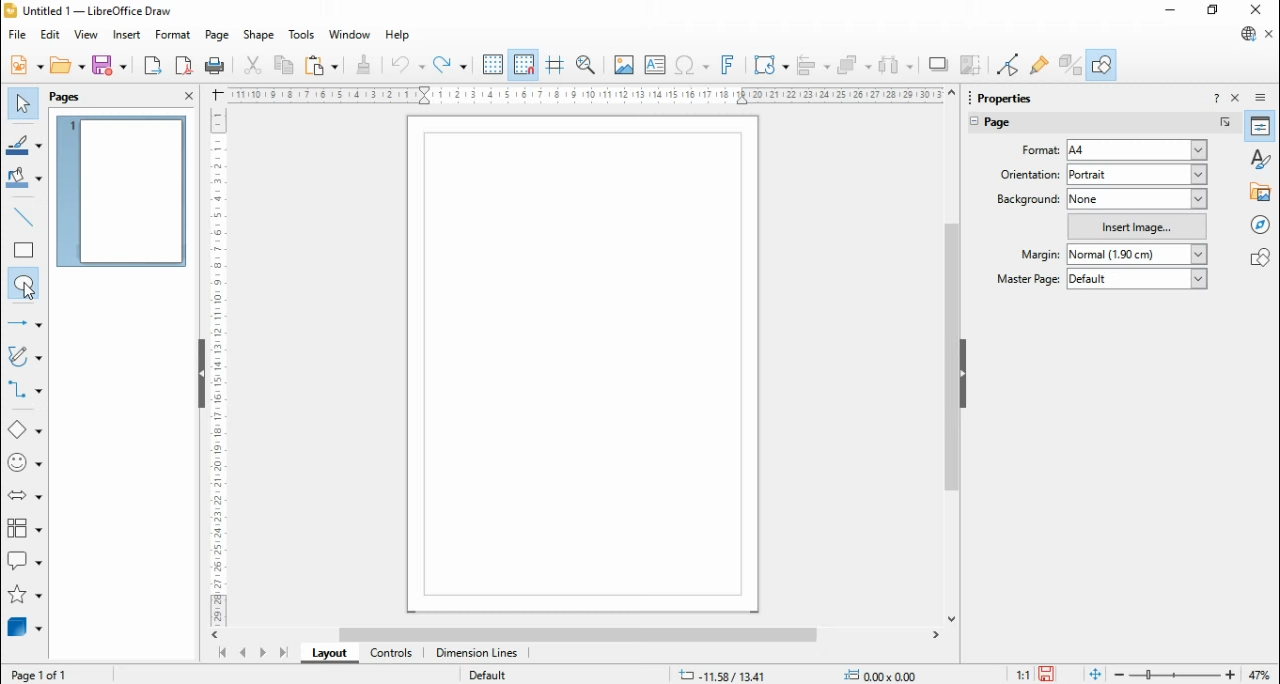 The height and width of the screenshot is (684, 1280). Describe the element at coordinates (364, 64) in the screenshot. I see `clone formatting` at that location.